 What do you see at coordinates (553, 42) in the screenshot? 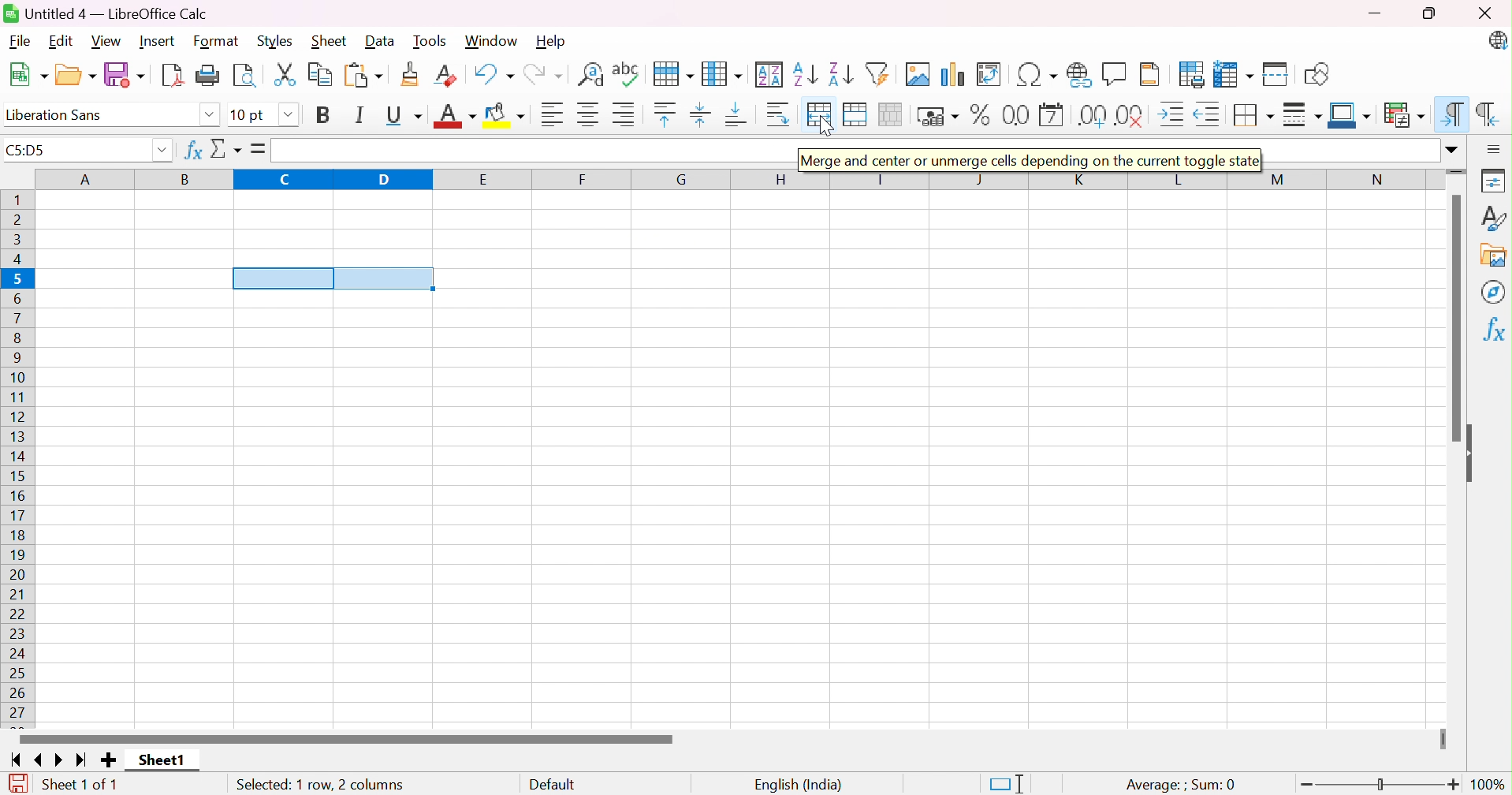
I see `Help` at bounding box center [553, 42].